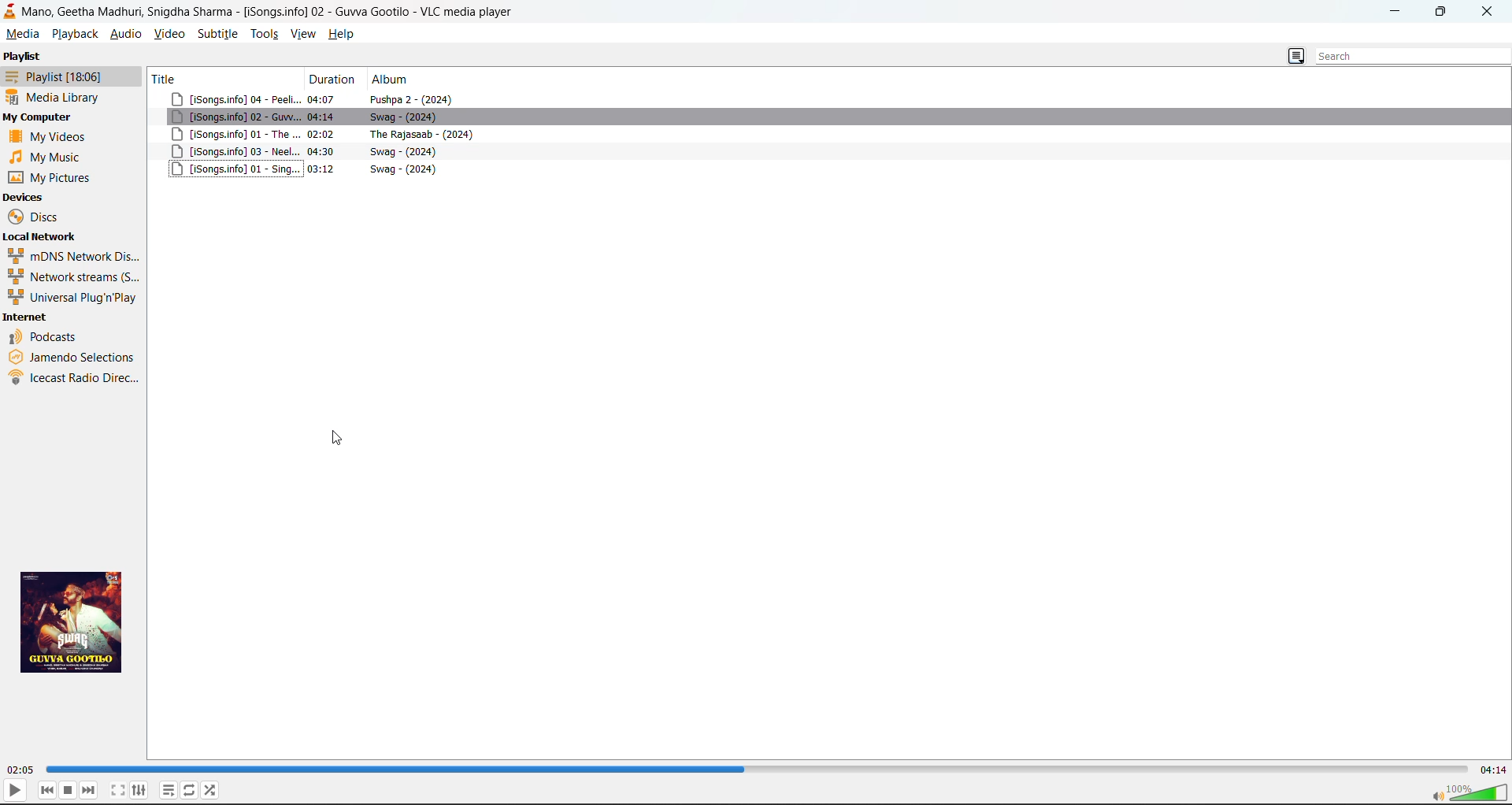 This screenshot has height=805, width=1512. Describe the element at coordinates (125, 33) in the screenshot. I see `audio` at that location.